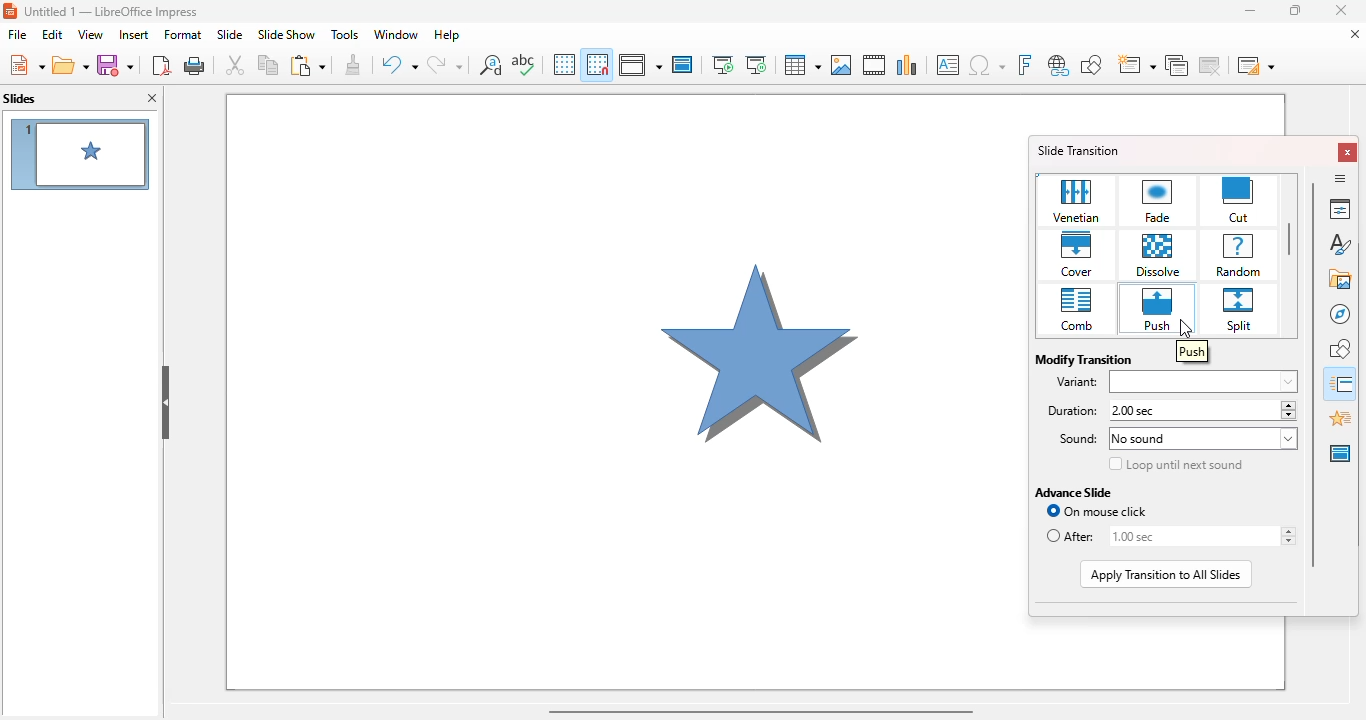 This screenshot has width=1366, height=720. I want to click on master slide, so click(683, 64).